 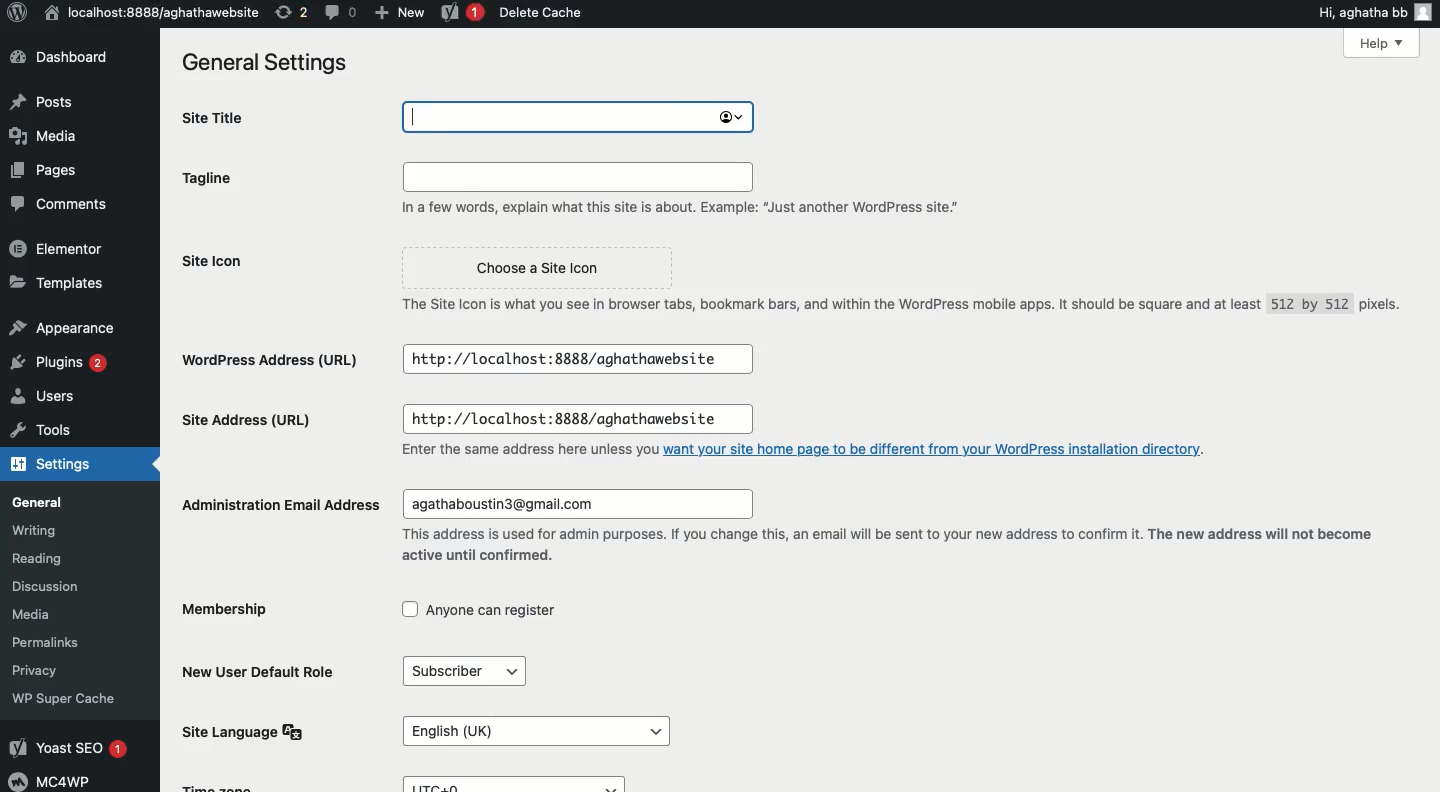 What do you see at coordinates (578, 360) in the screenshot?
I see `http://localhost:8888/aghathawebsite` at bounding box center [578, 360].